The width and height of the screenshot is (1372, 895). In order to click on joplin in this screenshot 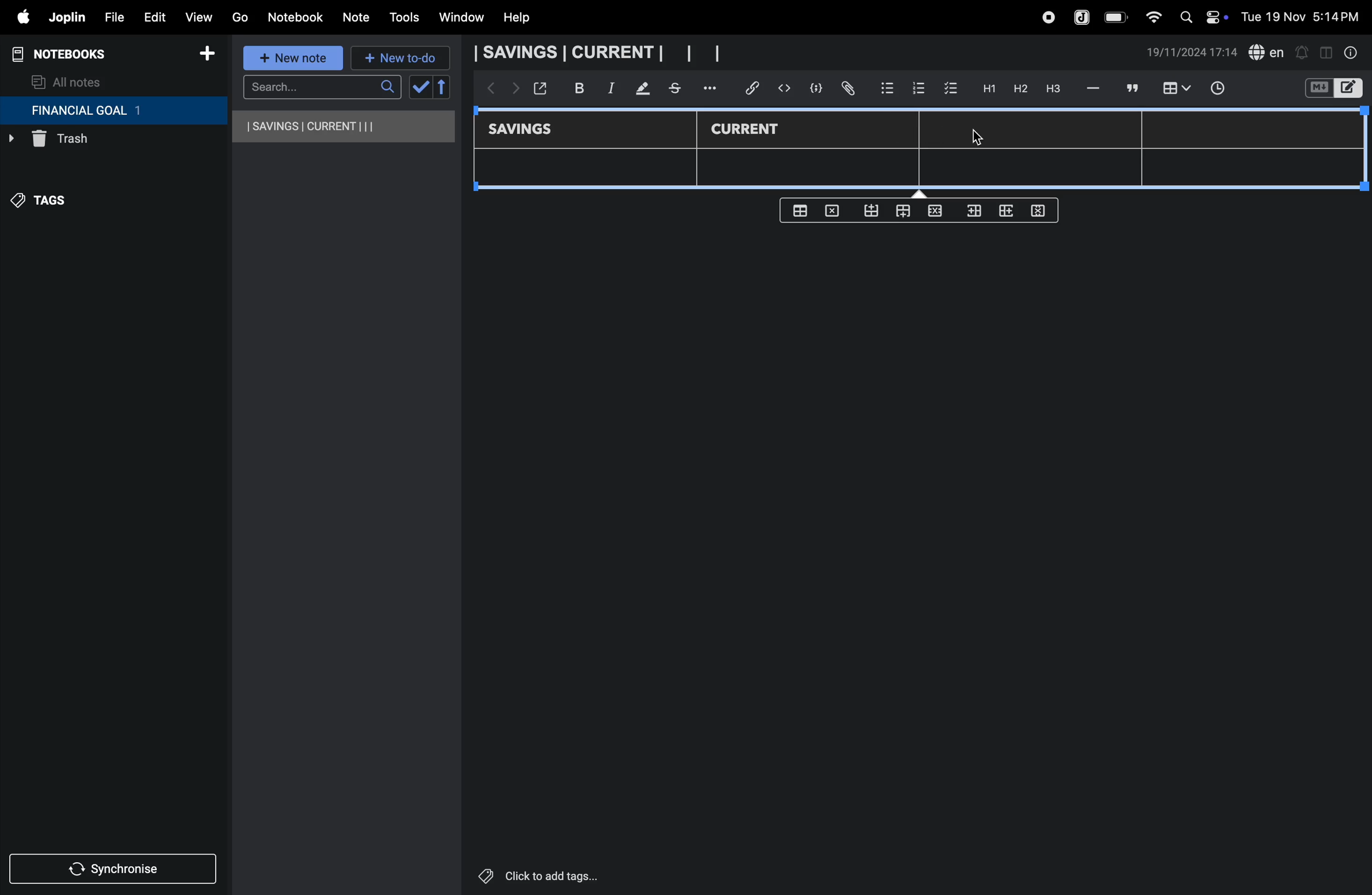, I will do `click(1083, 16)`.